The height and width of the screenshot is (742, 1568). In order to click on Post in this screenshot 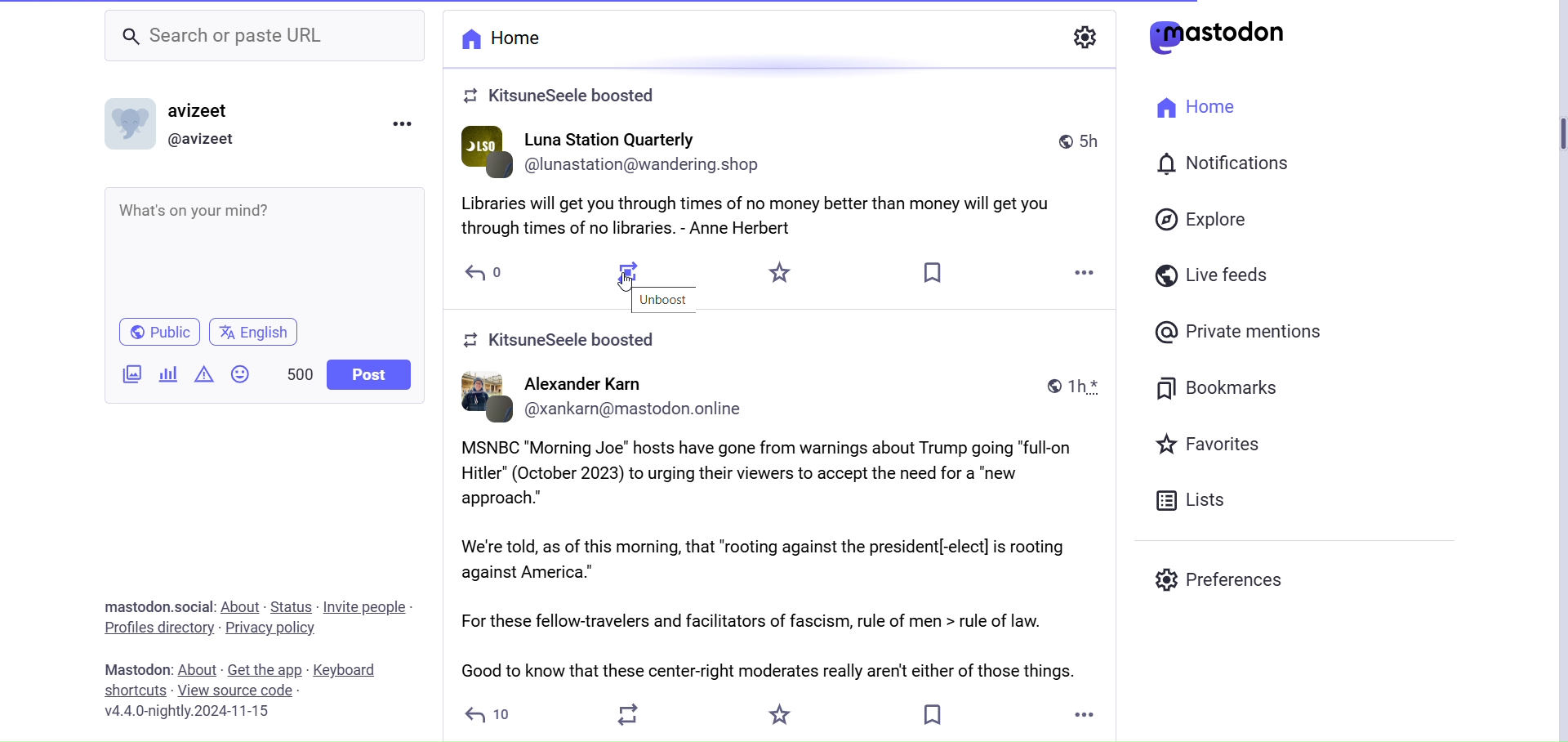, I will do `click(788, 187)`.